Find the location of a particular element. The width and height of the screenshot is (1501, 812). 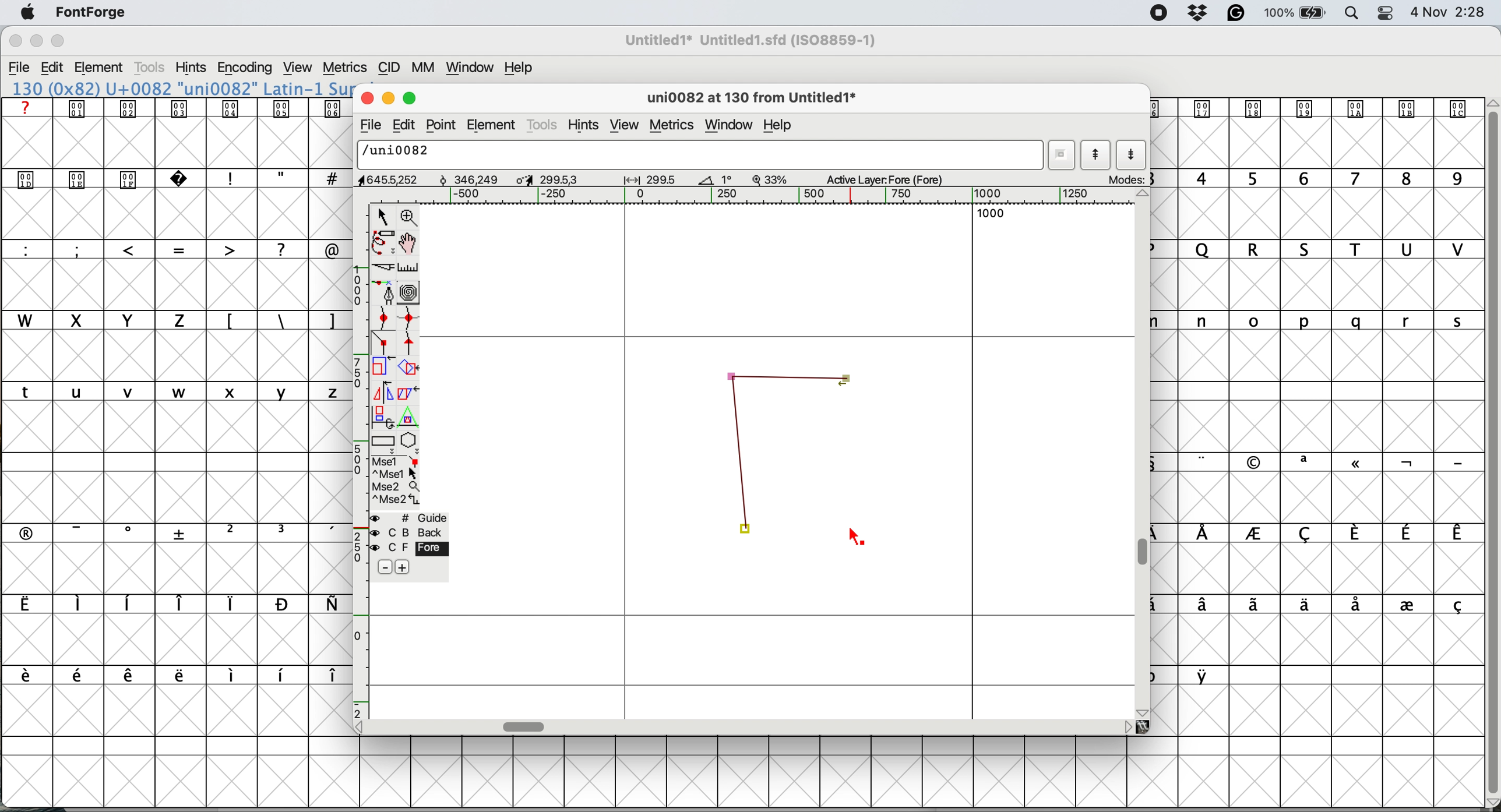

lower case letters is located at coordinates (177, 391).